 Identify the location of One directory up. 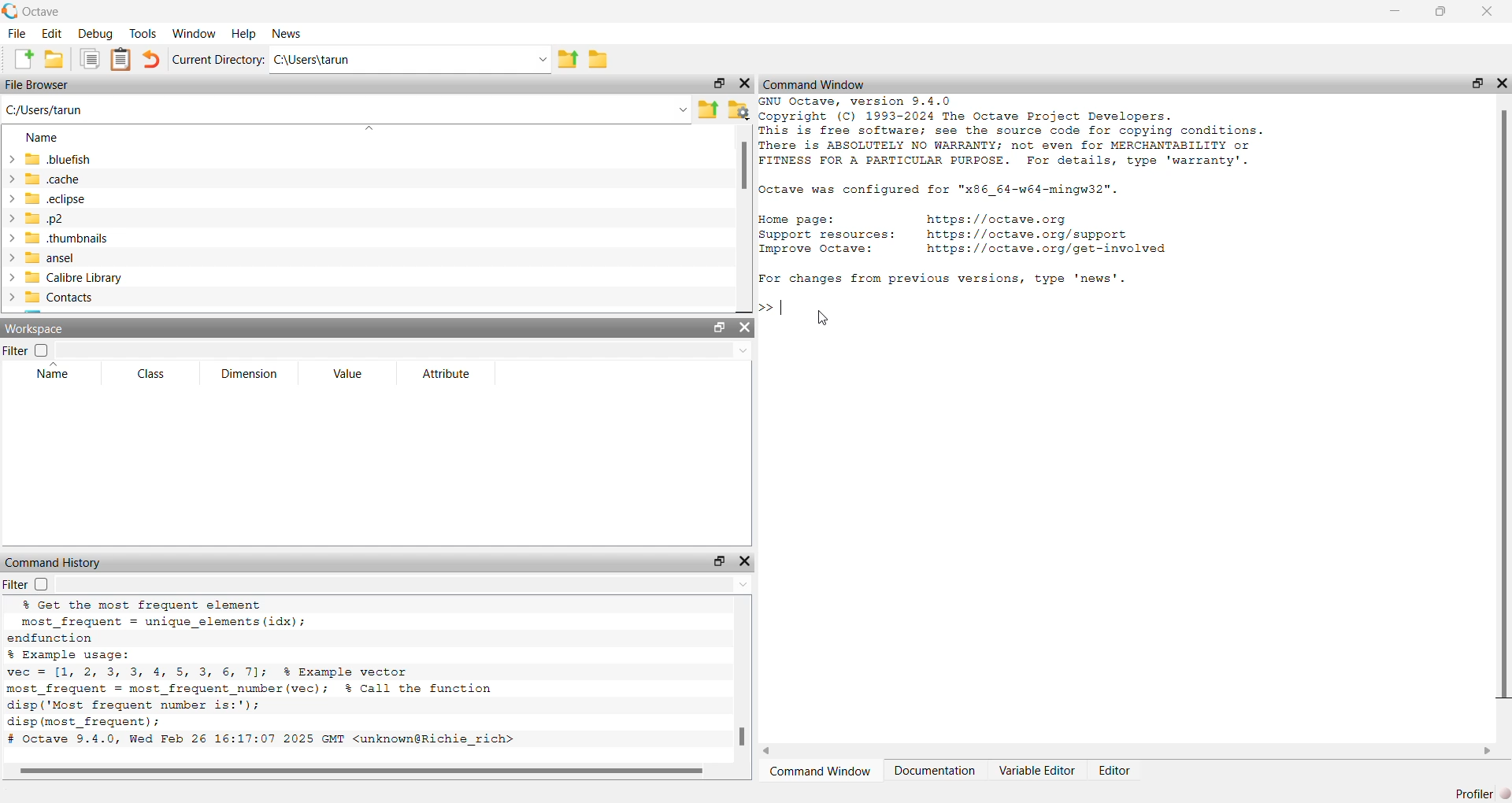
(708, 110).